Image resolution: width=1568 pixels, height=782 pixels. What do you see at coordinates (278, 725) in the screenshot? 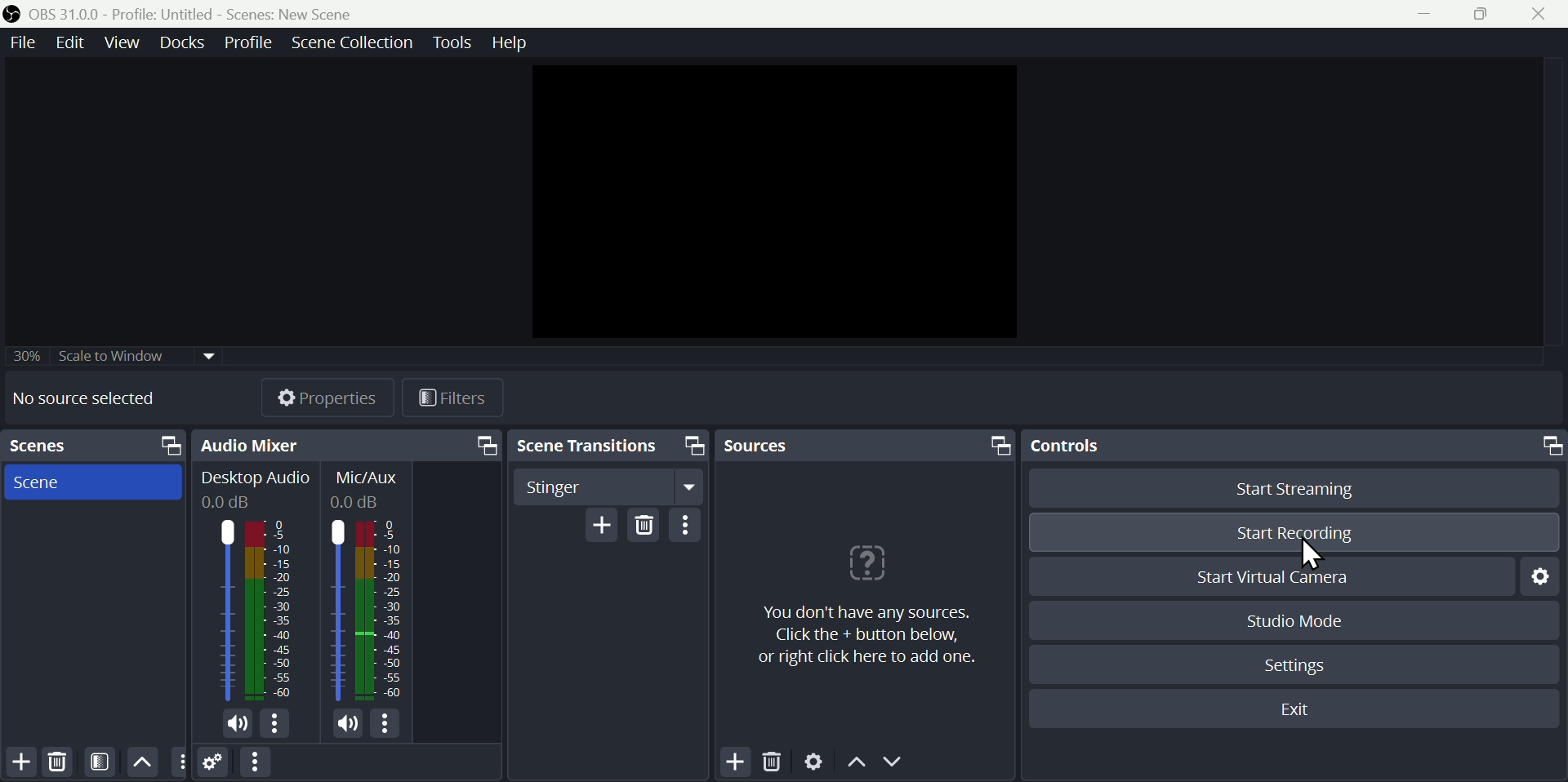
I see `options` at bounding box center [278, 725].